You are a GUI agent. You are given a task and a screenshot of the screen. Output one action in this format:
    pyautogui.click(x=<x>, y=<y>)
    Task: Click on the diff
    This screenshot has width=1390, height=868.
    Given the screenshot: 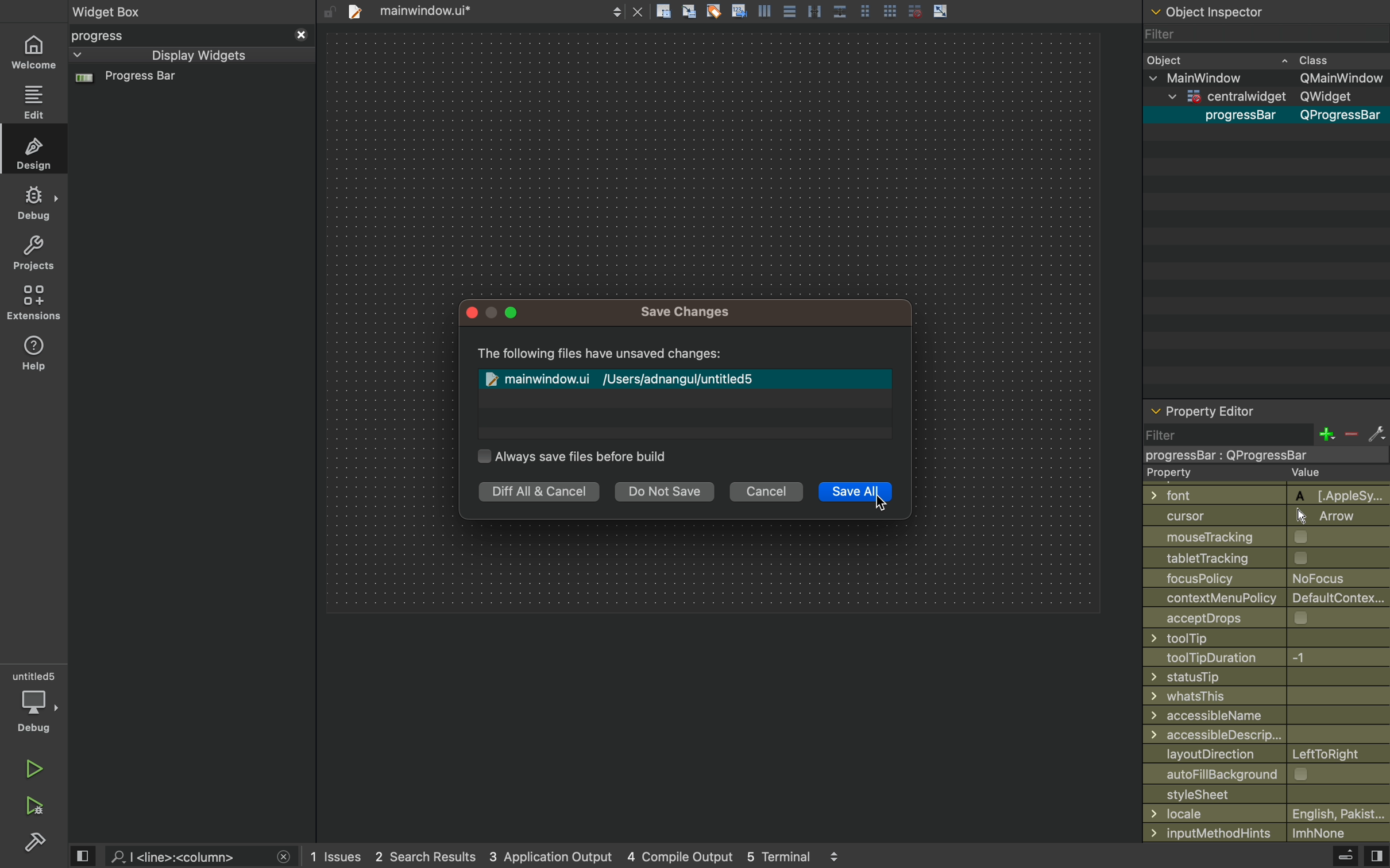 What is the action you would take?
    pyautogui.click(x=536, y=493)
    